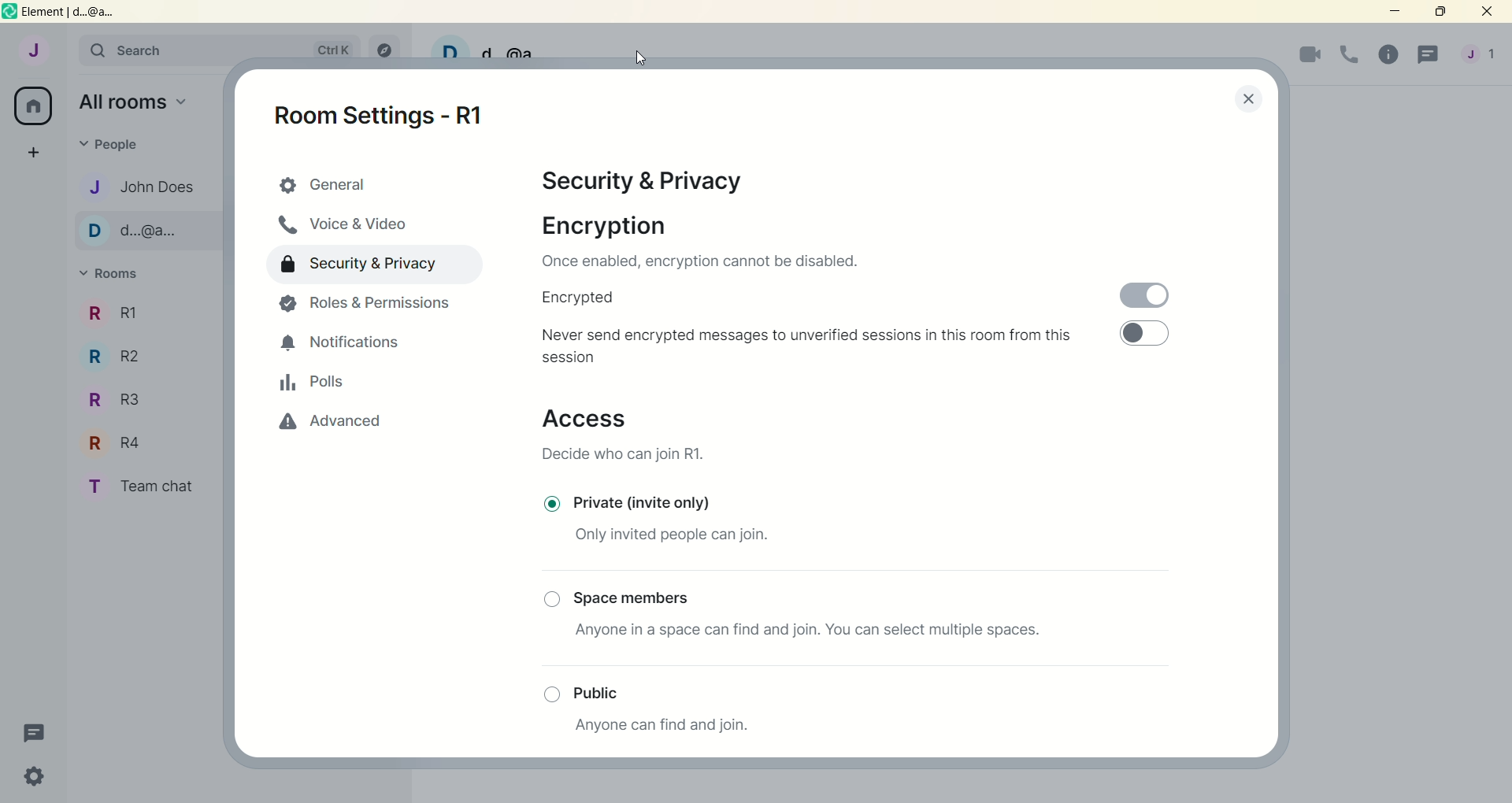 The image size is (1512, 803). What do you see at coordinates (812, 346) in the screenshot?
I see `Never send encrypted messages to unverified sessions in this room from this session` at bounding box center [812, 346].